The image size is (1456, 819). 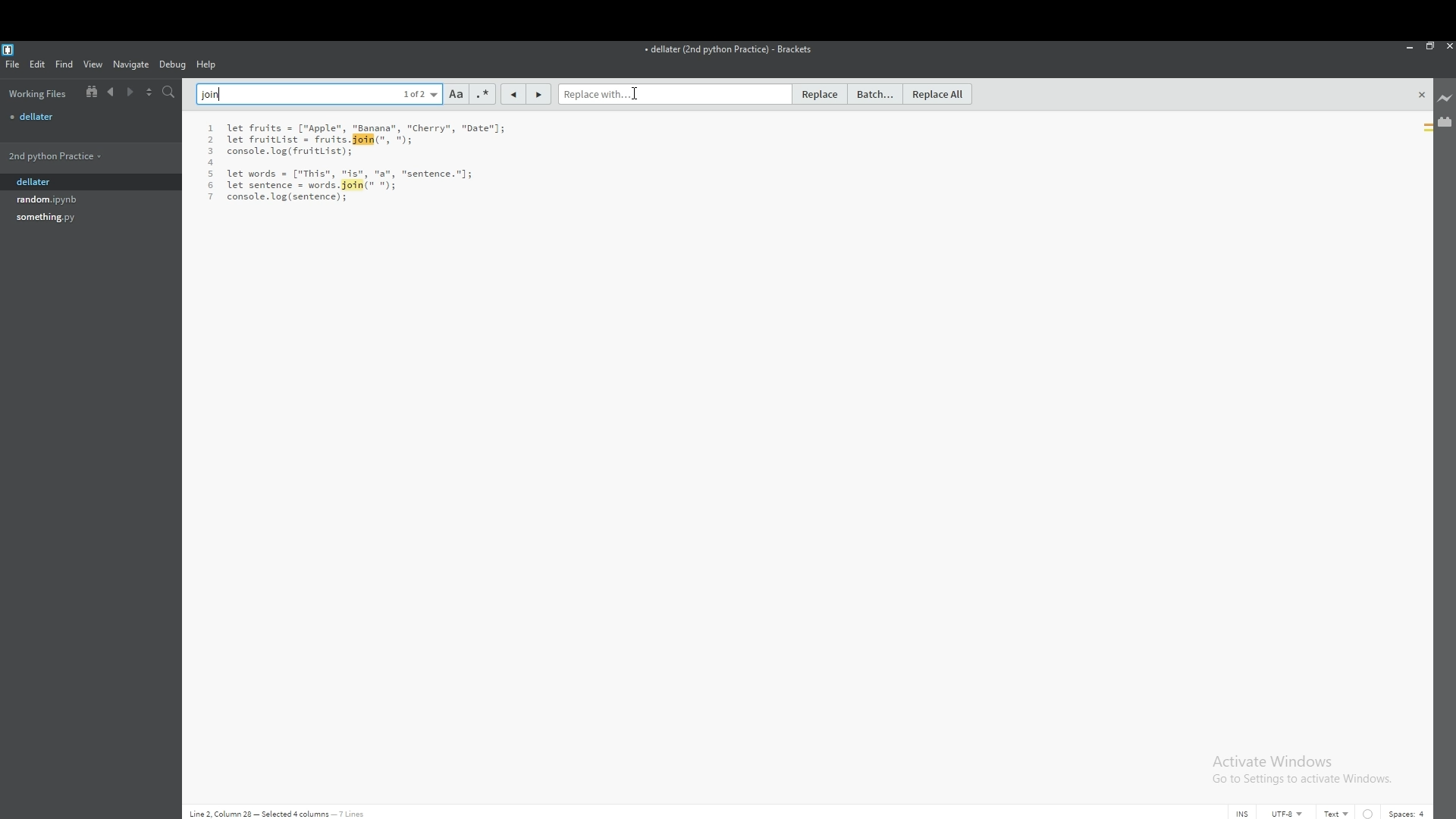 I want to click on spaces, so click(x=1409, y=812).